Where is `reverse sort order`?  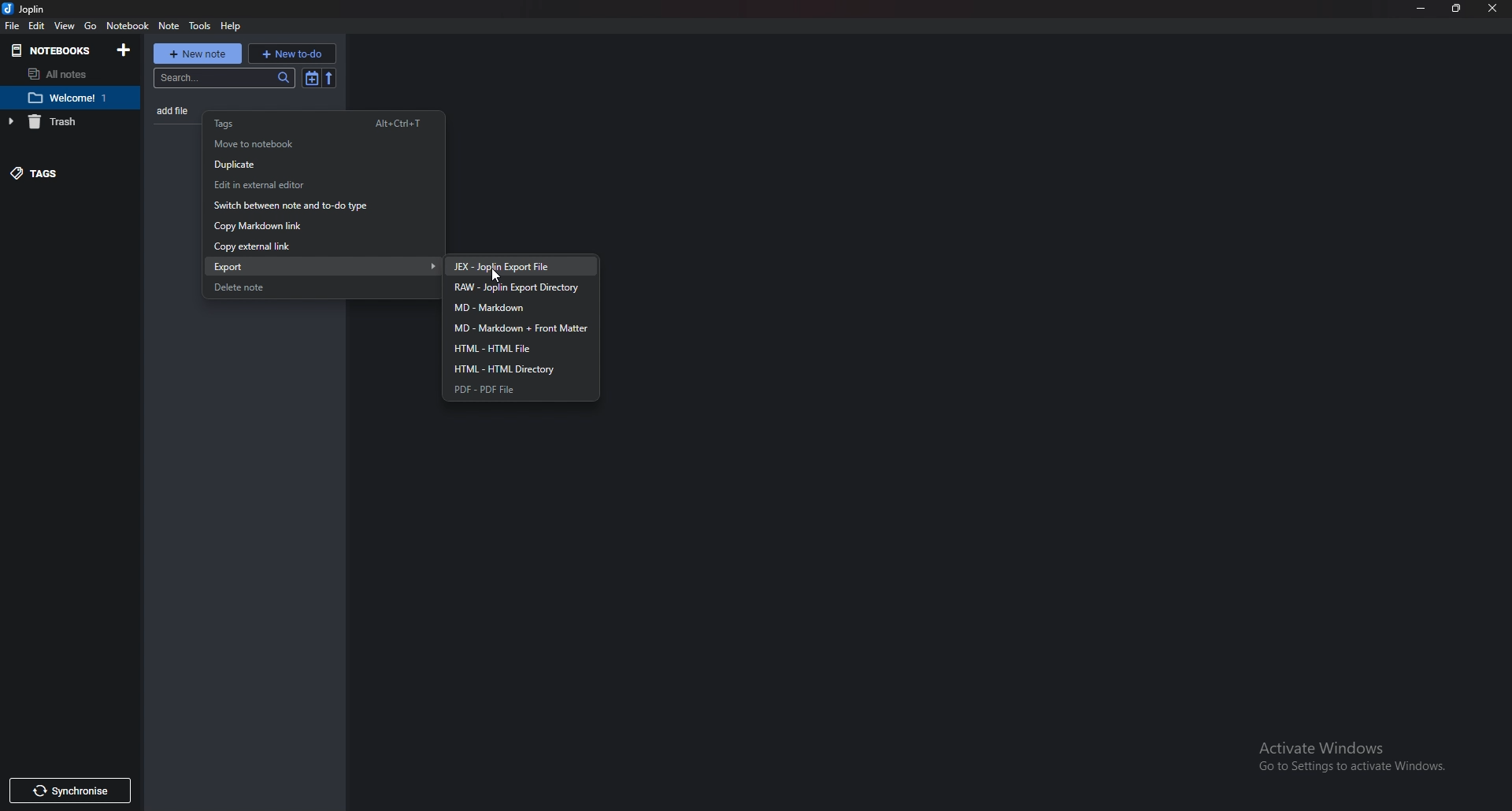 reverse sort order is located at coordinates (332, 77).